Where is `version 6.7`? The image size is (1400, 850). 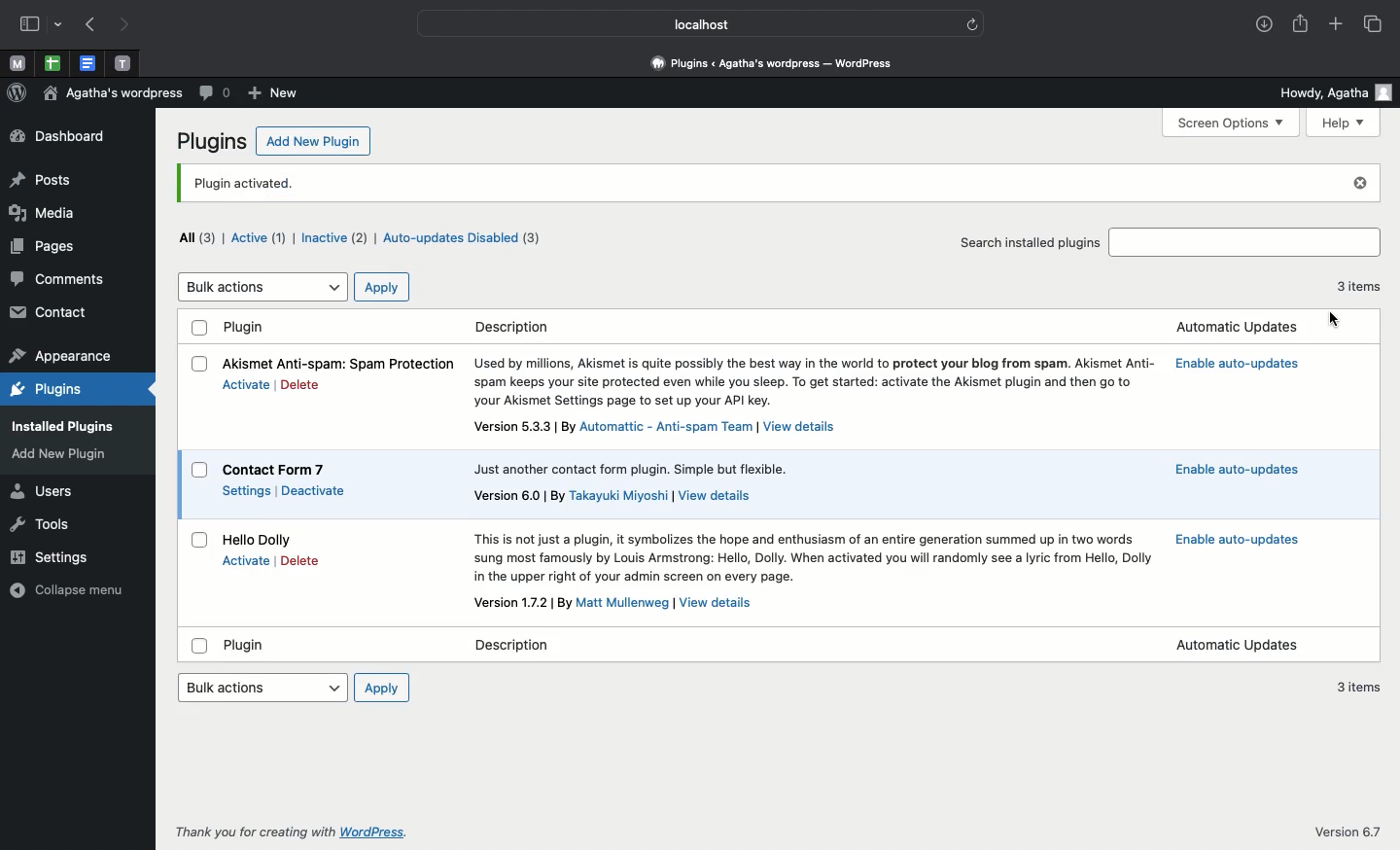
version 6.7 is located at coordinates (1343, 829).